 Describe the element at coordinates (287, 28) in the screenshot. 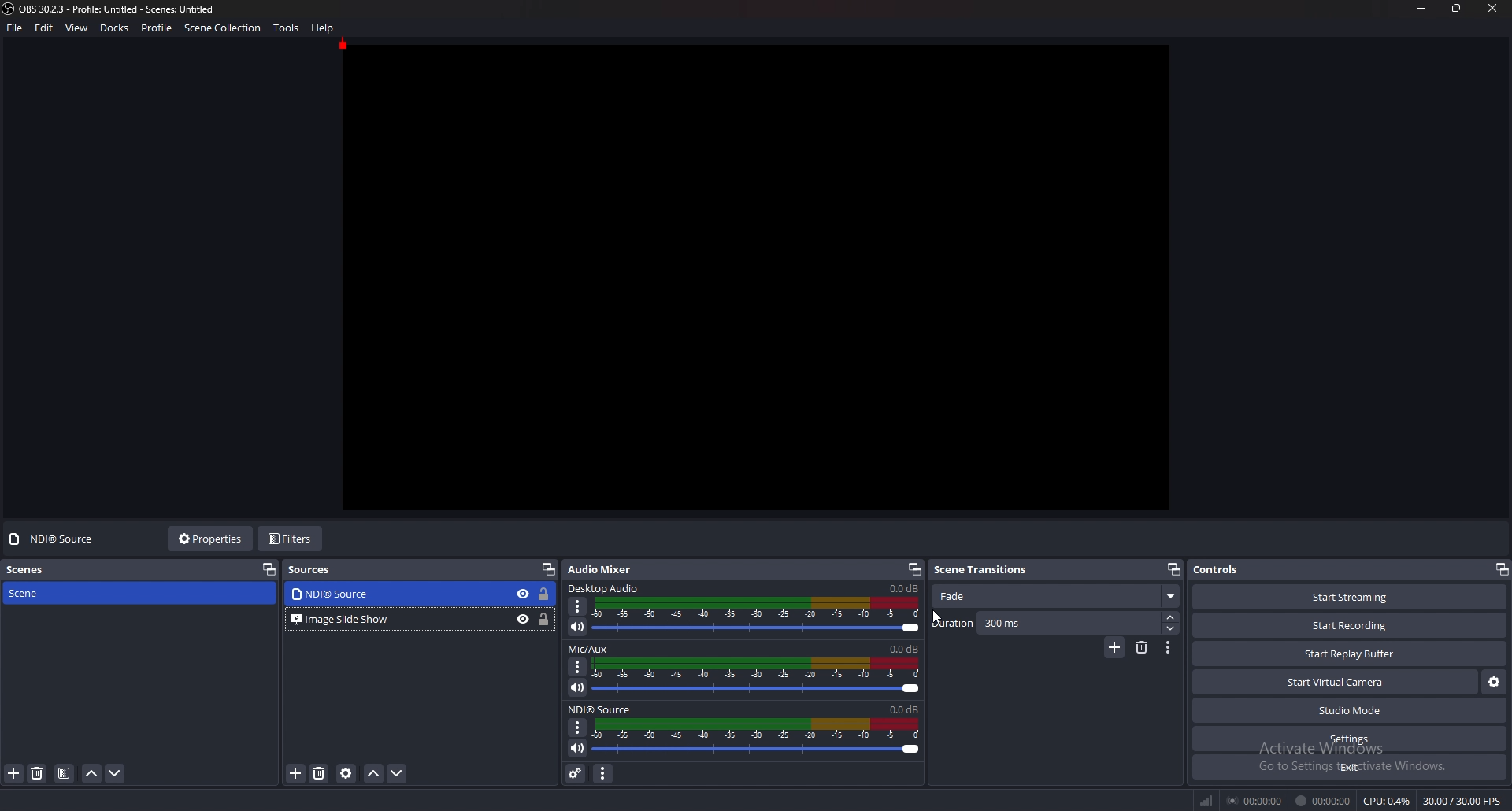

I see `tools` at that location.